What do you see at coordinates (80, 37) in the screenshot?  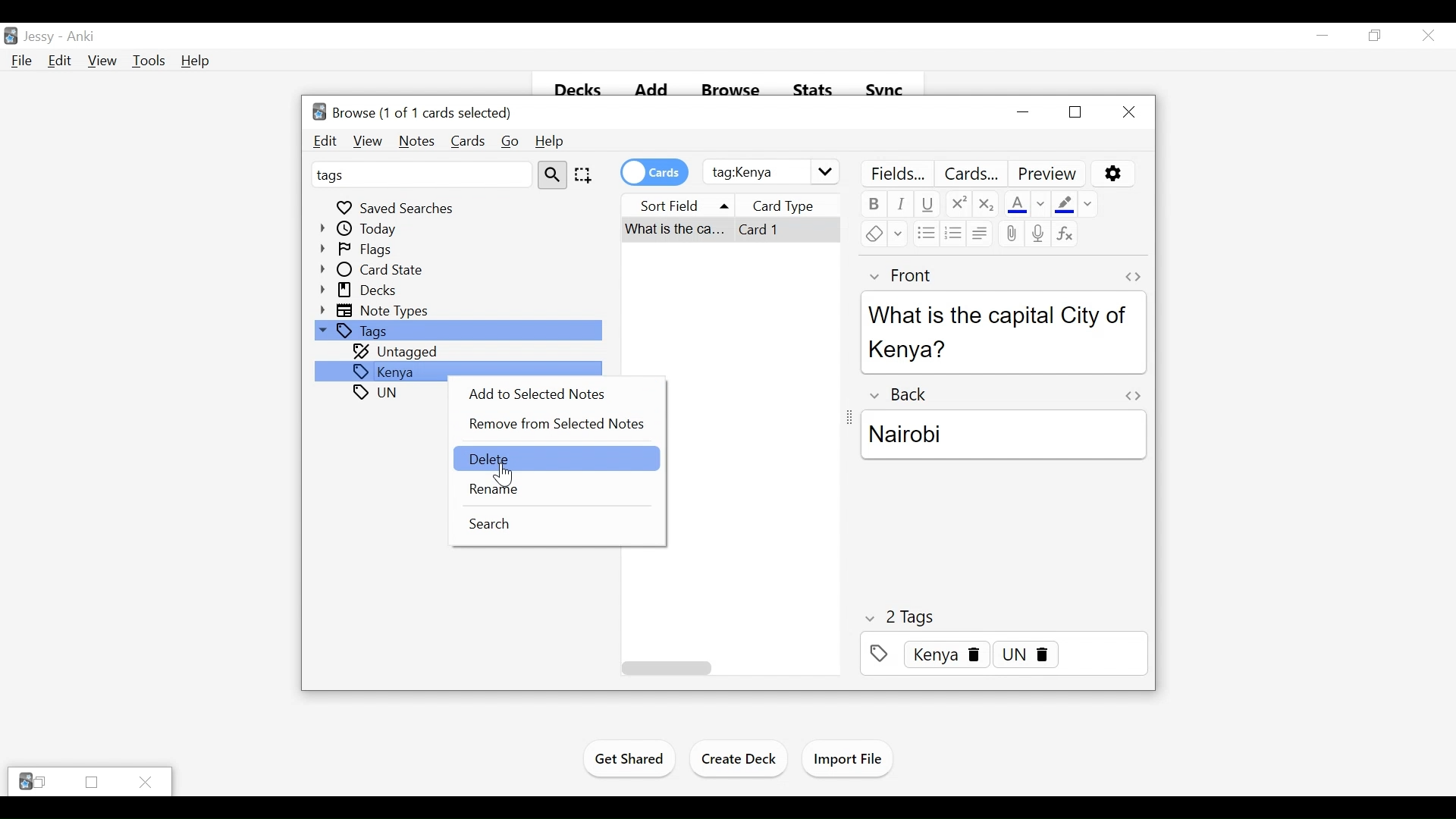 I see `Anki` at bounding box center [80, 37].